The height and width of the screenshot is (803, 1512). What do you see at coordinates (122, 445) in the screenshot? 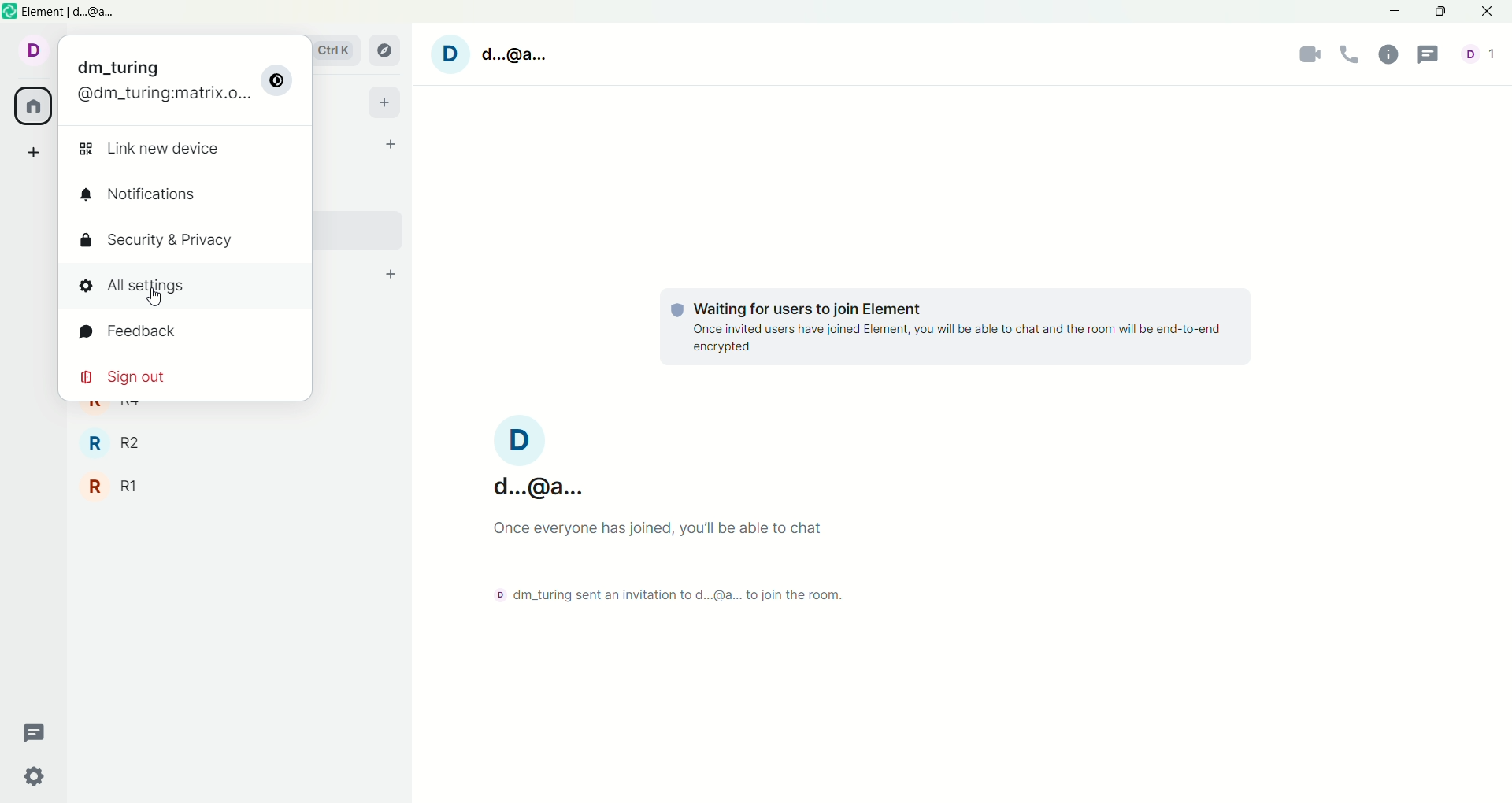
I see `R2` at bounding box center [122, 445].